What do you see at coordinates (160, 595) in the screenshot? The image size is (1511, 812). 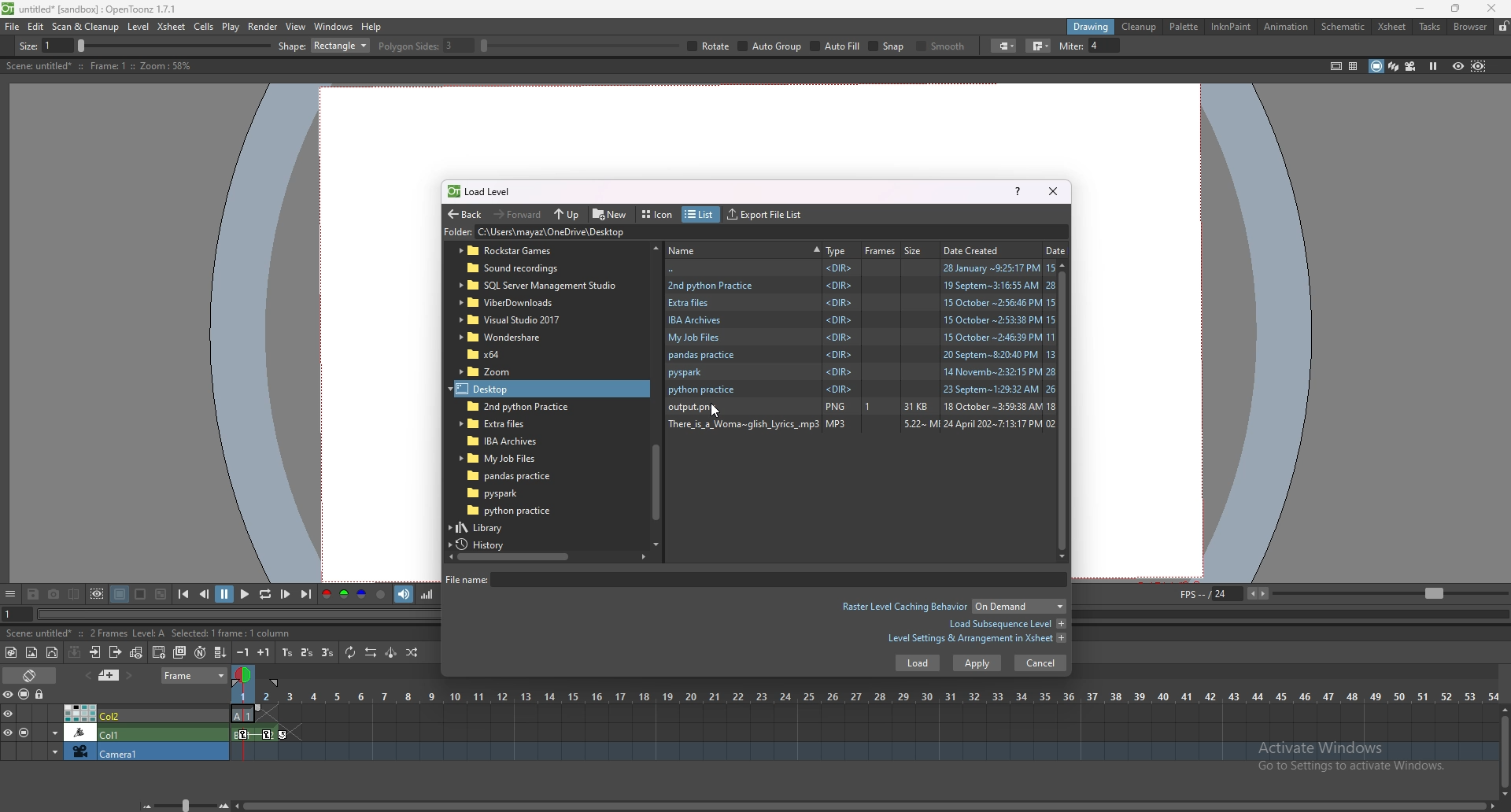 I see `checkered background` at bounding box center [160, 595].